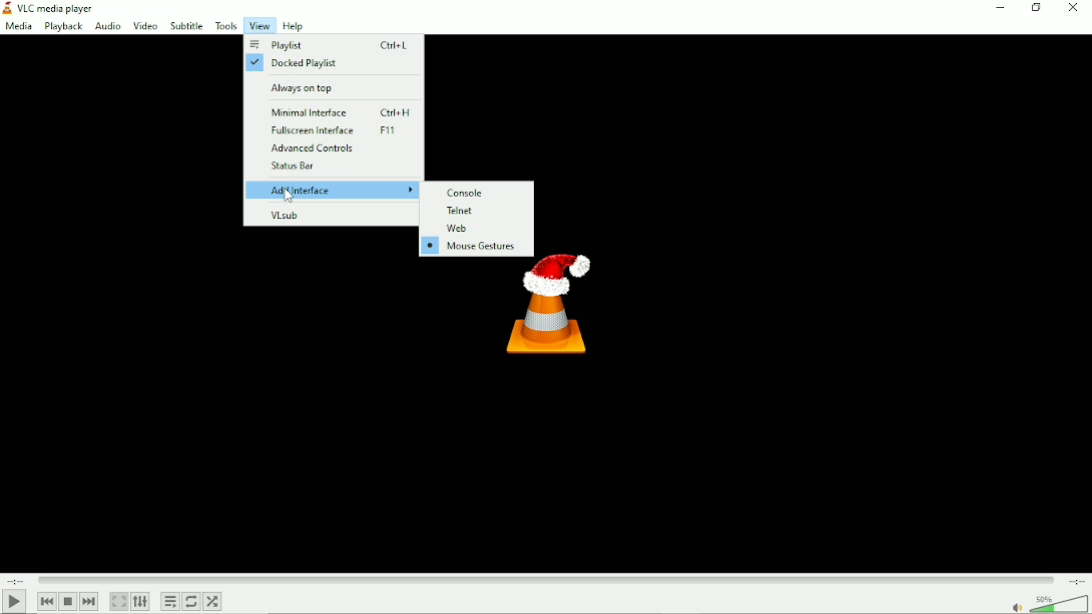 This screenshot has height=614, width=1092. I want to click on Playlist, so click(330, 46).